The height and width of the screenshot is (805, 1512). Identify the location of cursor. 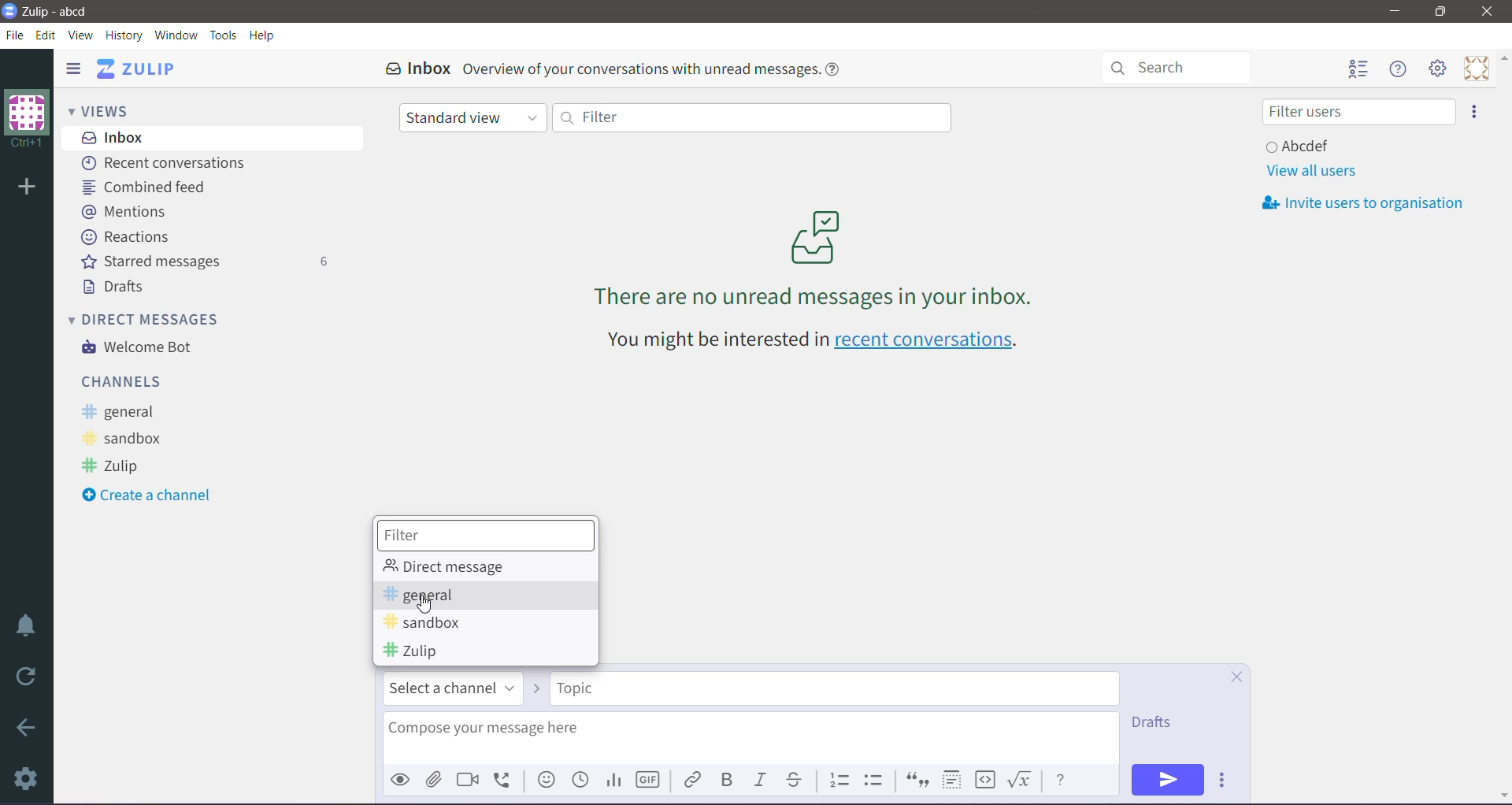
(426, 608).